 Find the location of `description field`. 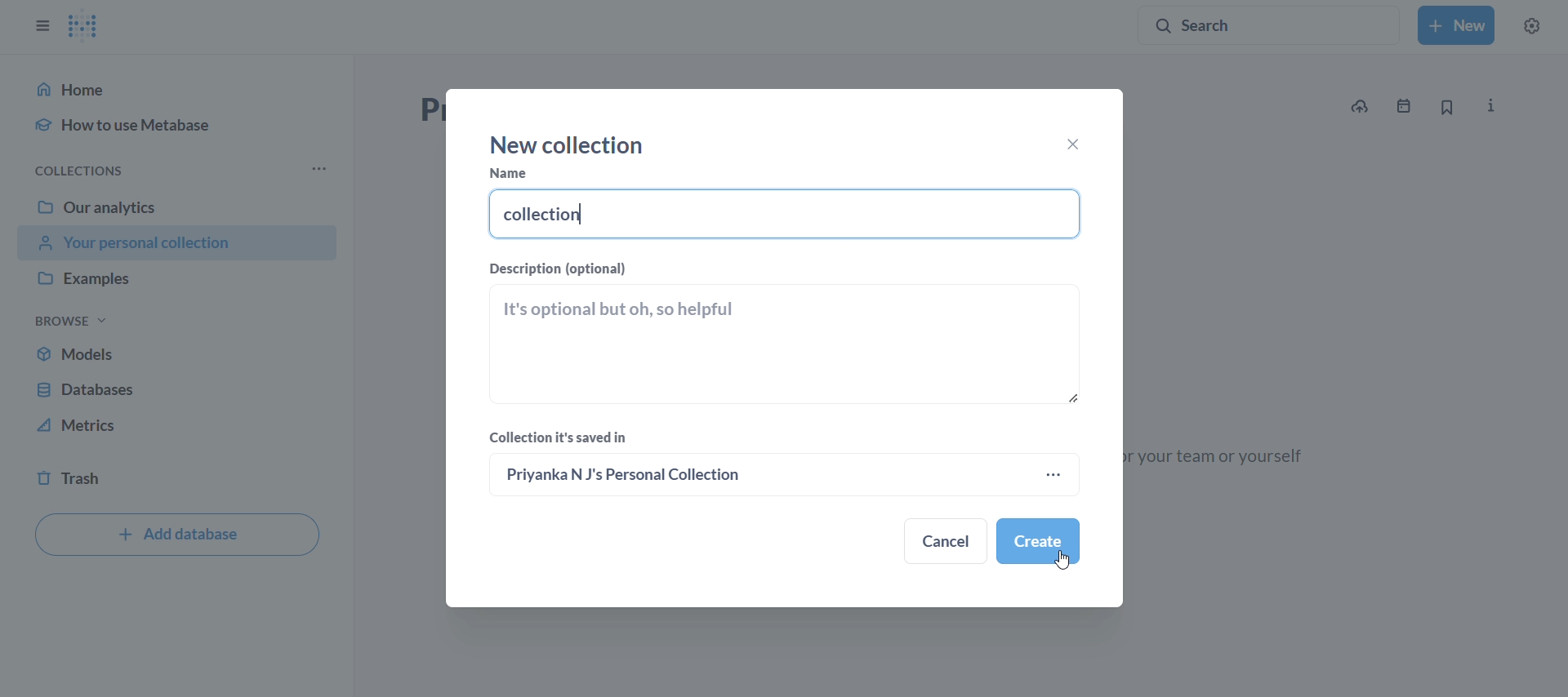

description field is located at coordinates (785, 351).